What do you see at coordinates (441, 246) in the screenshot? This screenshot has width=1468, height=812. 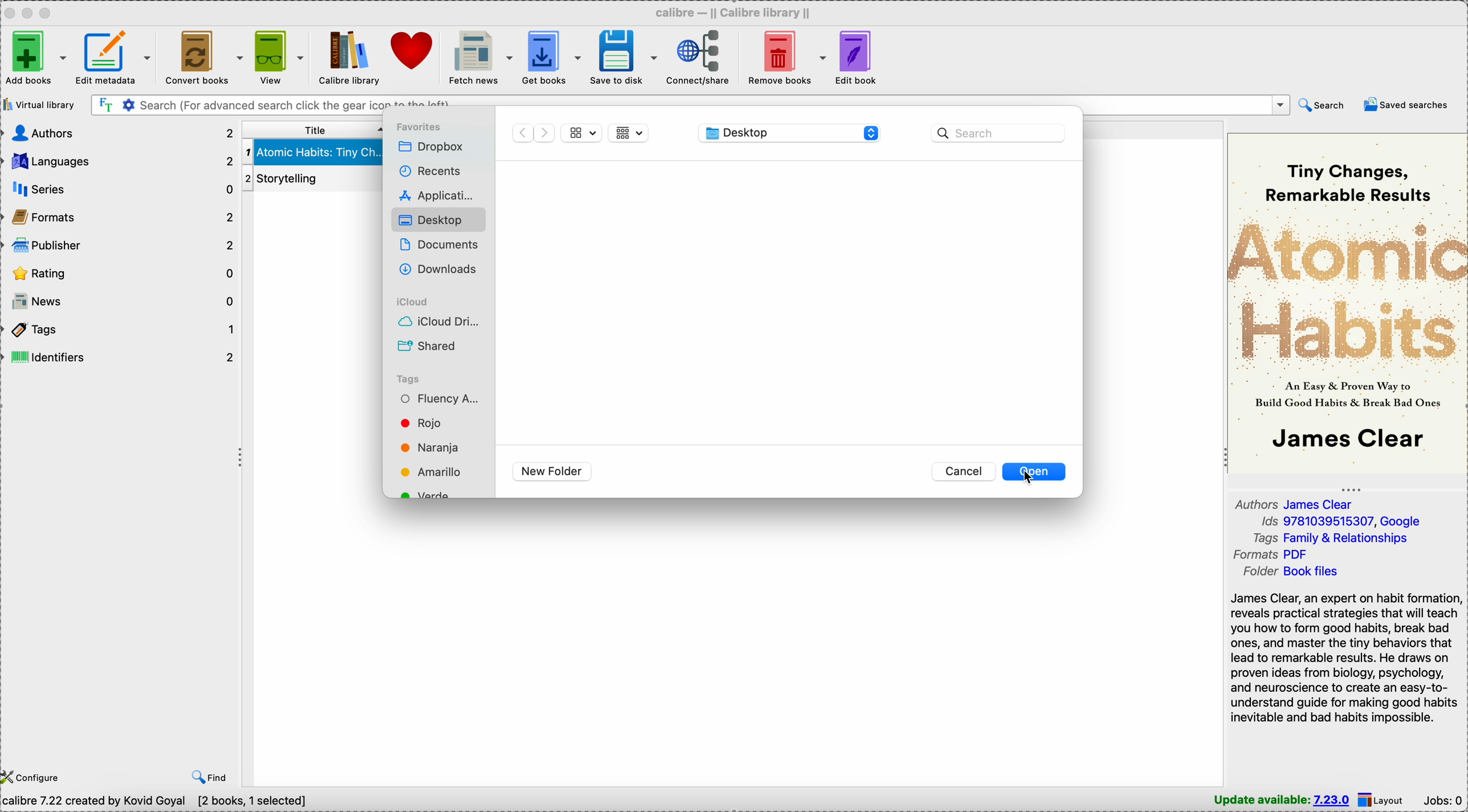 I see `Documents` at bounding box center [441, 246].